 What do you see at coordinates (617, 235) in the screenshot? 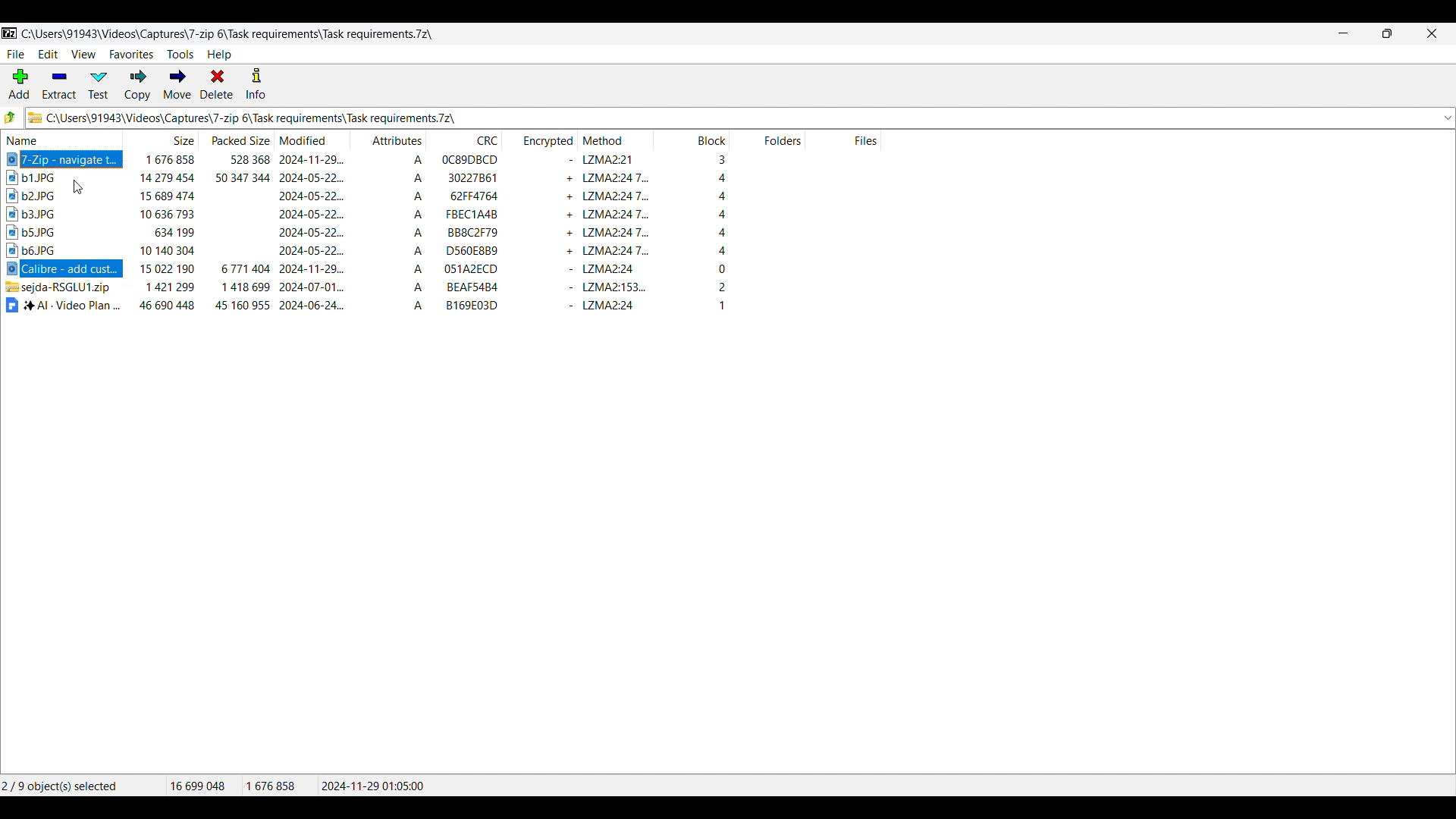
I see `encryption method` at bounding box center [617, 235].